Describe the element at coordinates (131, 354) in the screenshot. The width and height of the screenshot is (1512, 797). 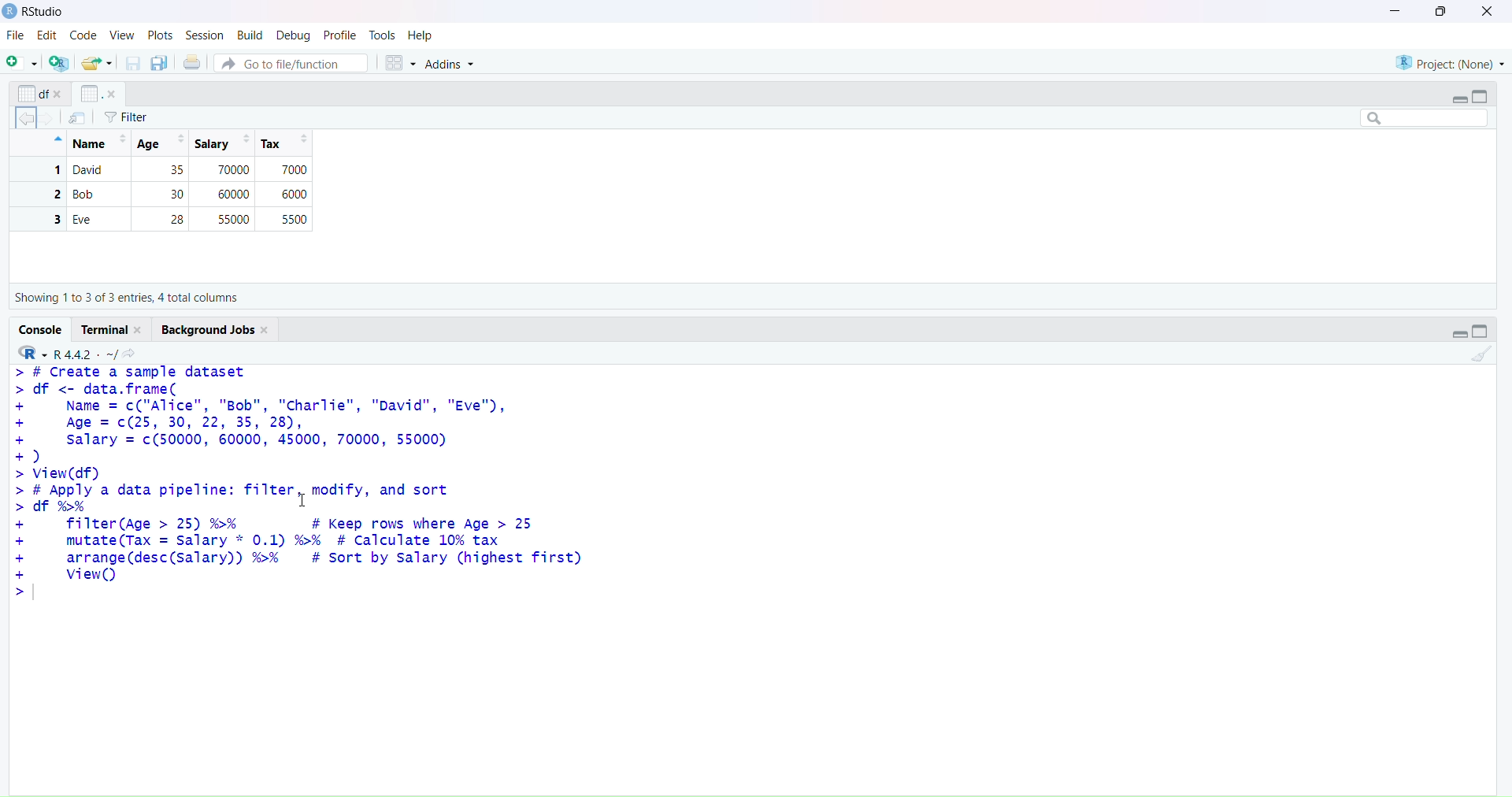
I see `view the current working directory` at that location.